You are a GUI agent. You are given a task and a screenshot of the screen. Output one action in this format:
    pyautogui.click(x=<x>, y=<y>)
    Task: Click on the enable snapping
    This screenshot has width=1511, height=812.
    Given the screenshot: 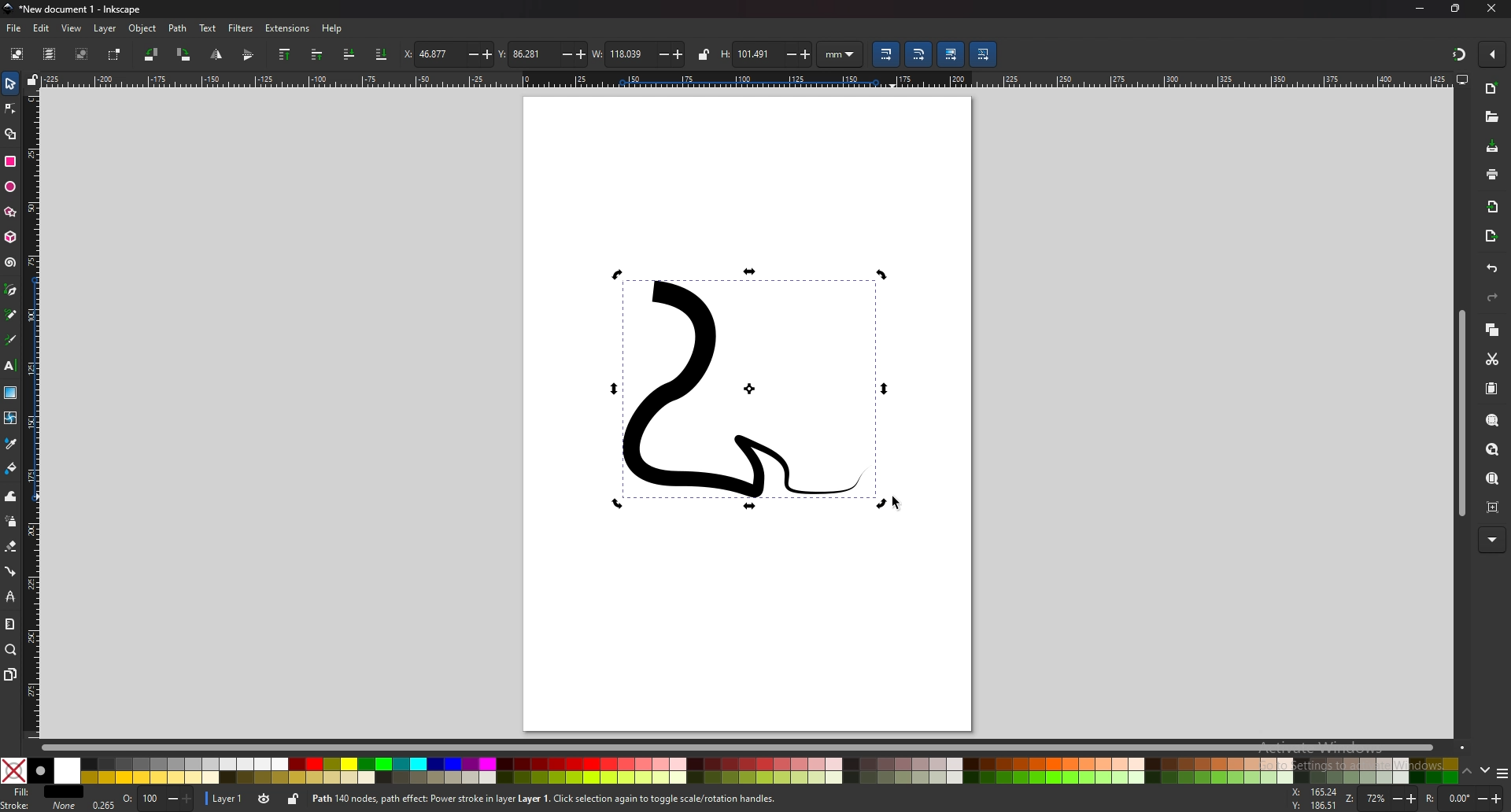 What is the action you would take?
    pyautogui.click(x=1493, y=53)
    